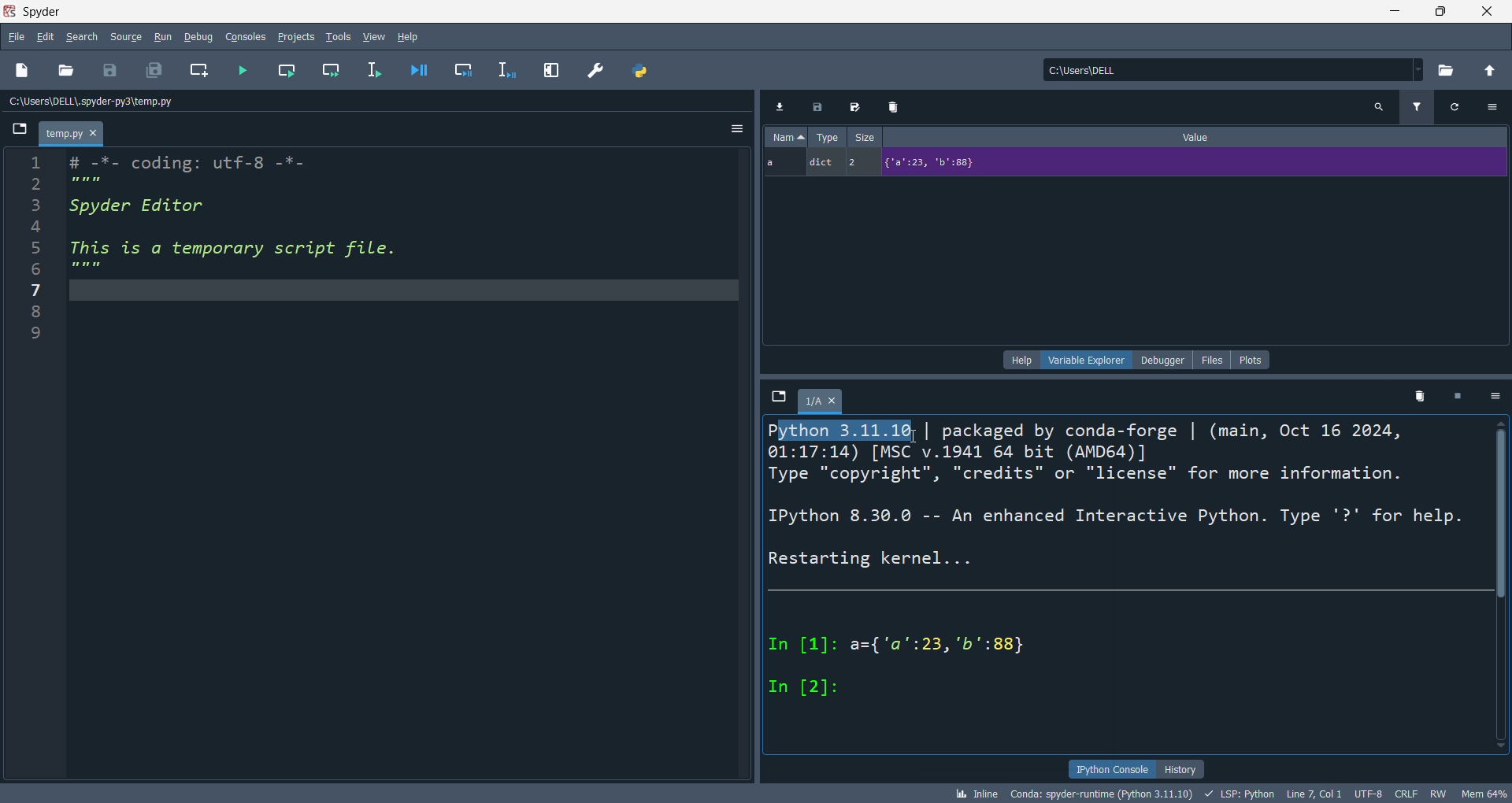 The width and height of the screenshot is (1512, 803). Describe the element at coordinates (1366, 794) in the screenshot. I see `UTF-8` at that location.